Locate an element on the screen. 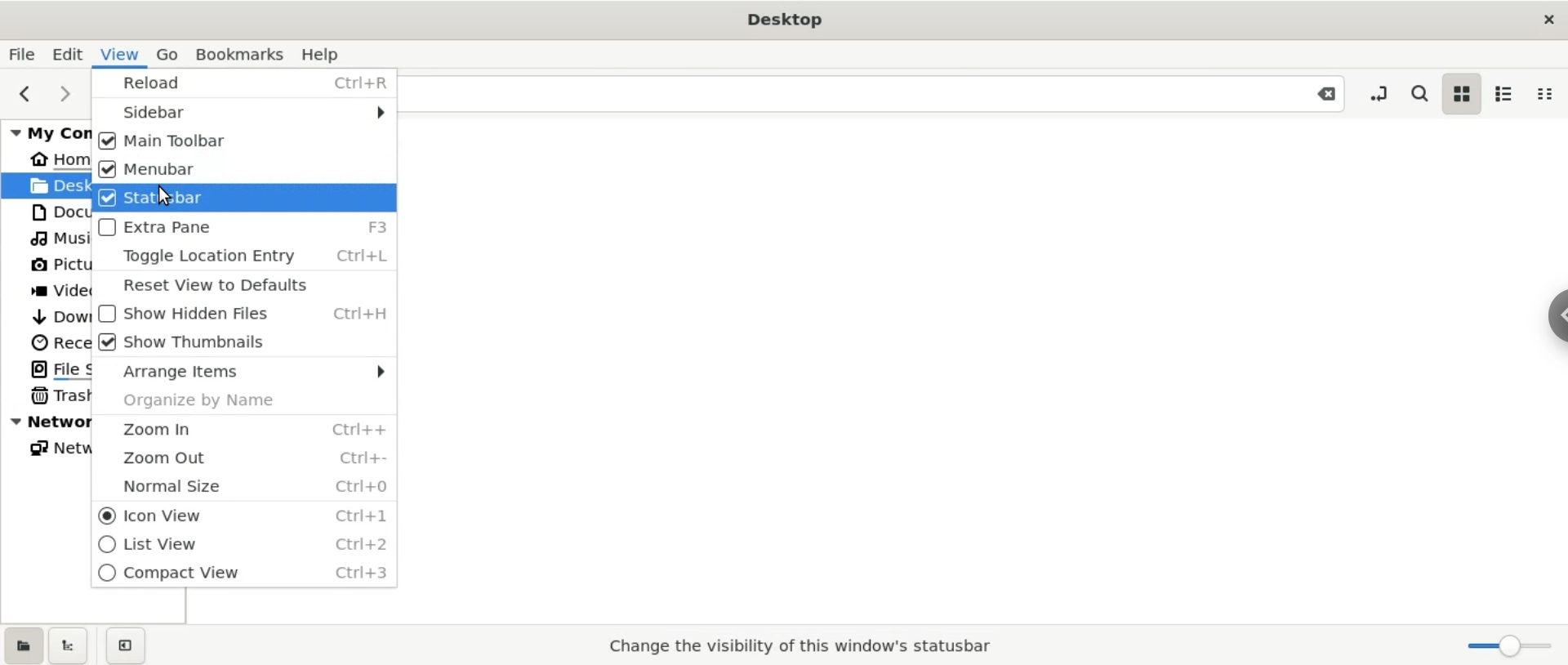  Organize by Name is located at coordinates (242, 400).